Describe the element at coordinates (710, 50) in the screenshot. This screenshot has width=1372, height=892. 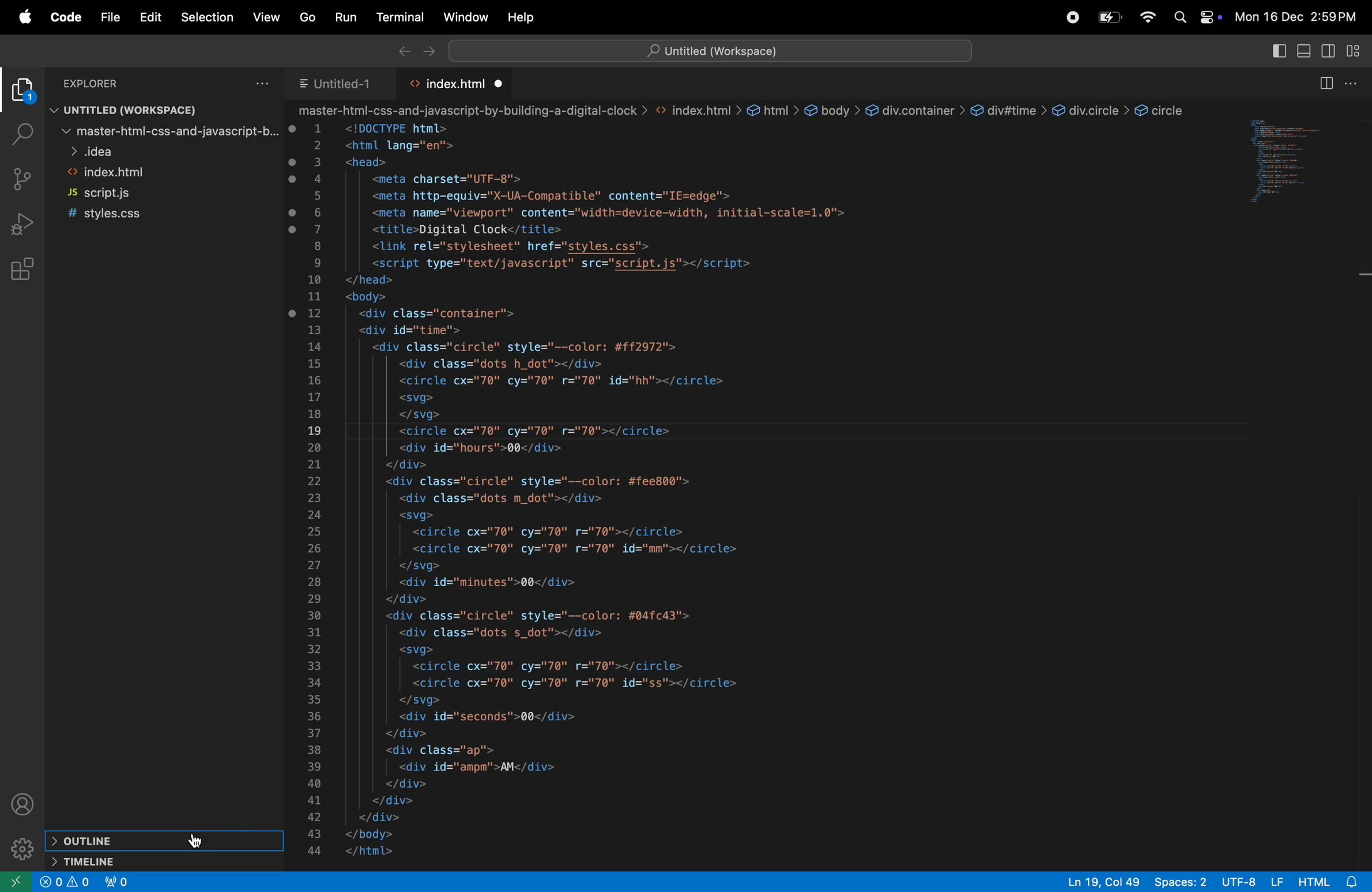
I see `untitled workspace` at that location.